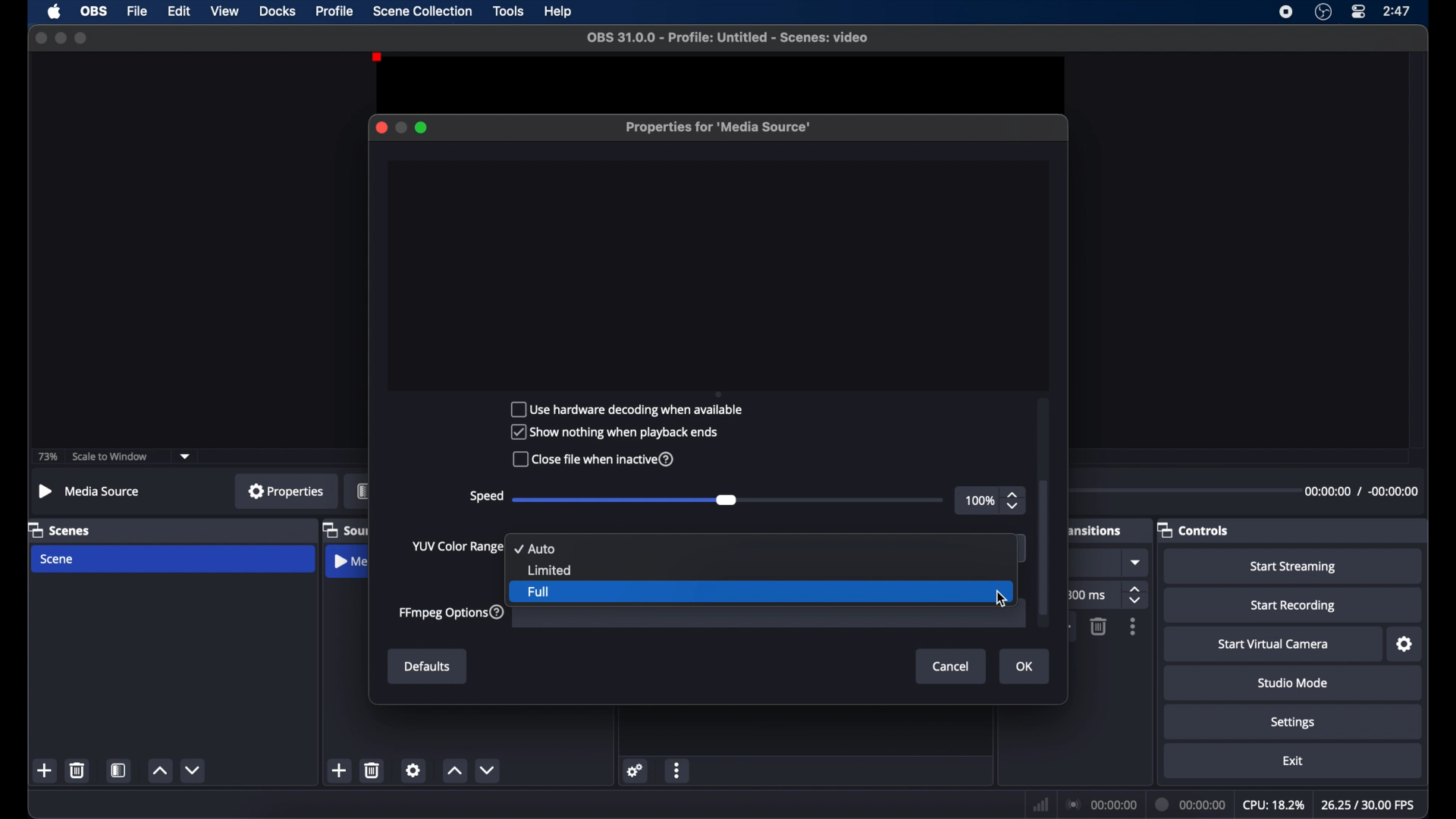 This screenshot has width=1456, height=819. I want to click on network, so click(1040, 805).